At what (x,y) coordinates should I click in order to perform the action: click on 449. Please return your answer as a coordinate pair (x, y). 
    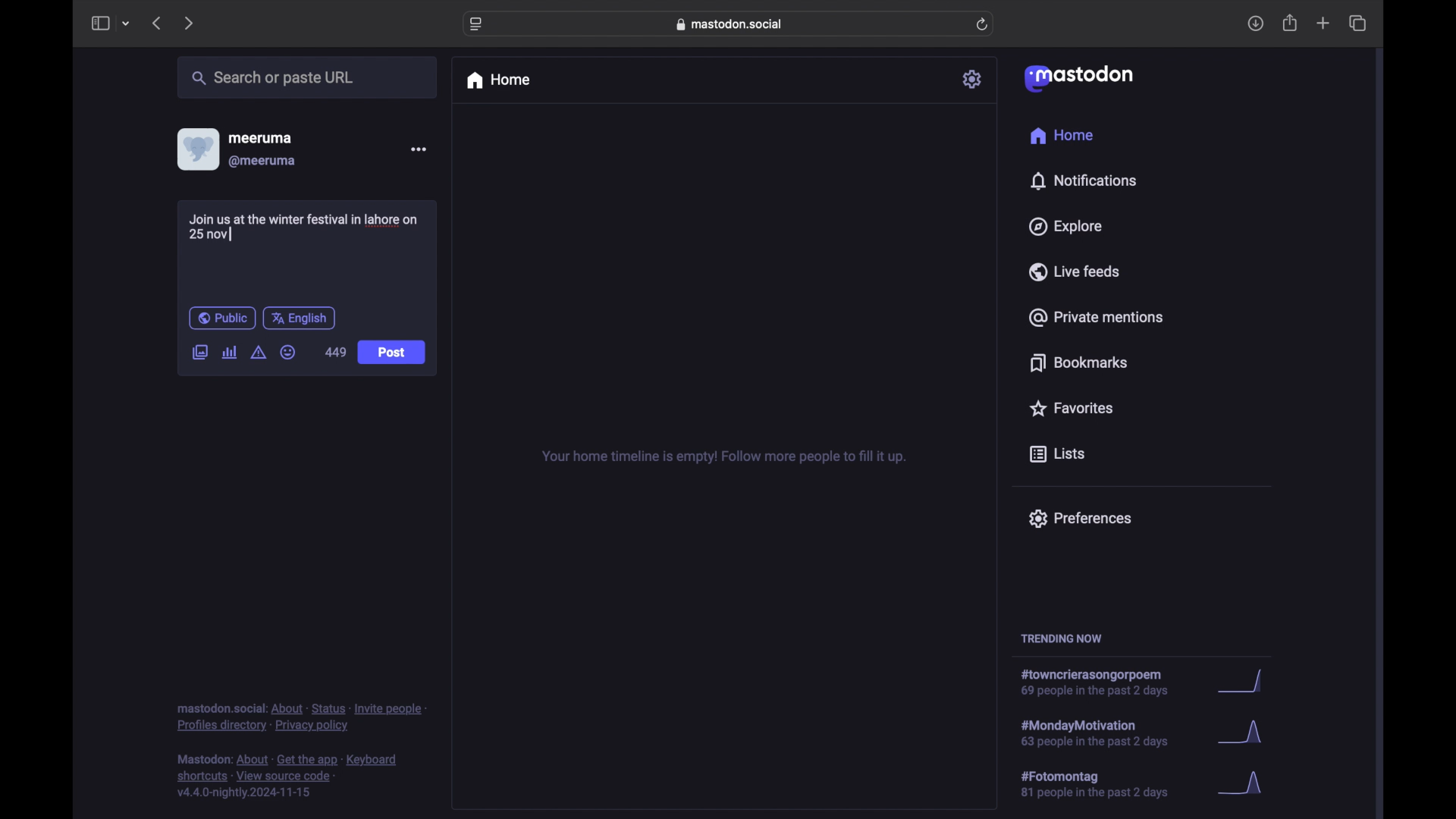
    Looking at the image, I should click on (336, 351).